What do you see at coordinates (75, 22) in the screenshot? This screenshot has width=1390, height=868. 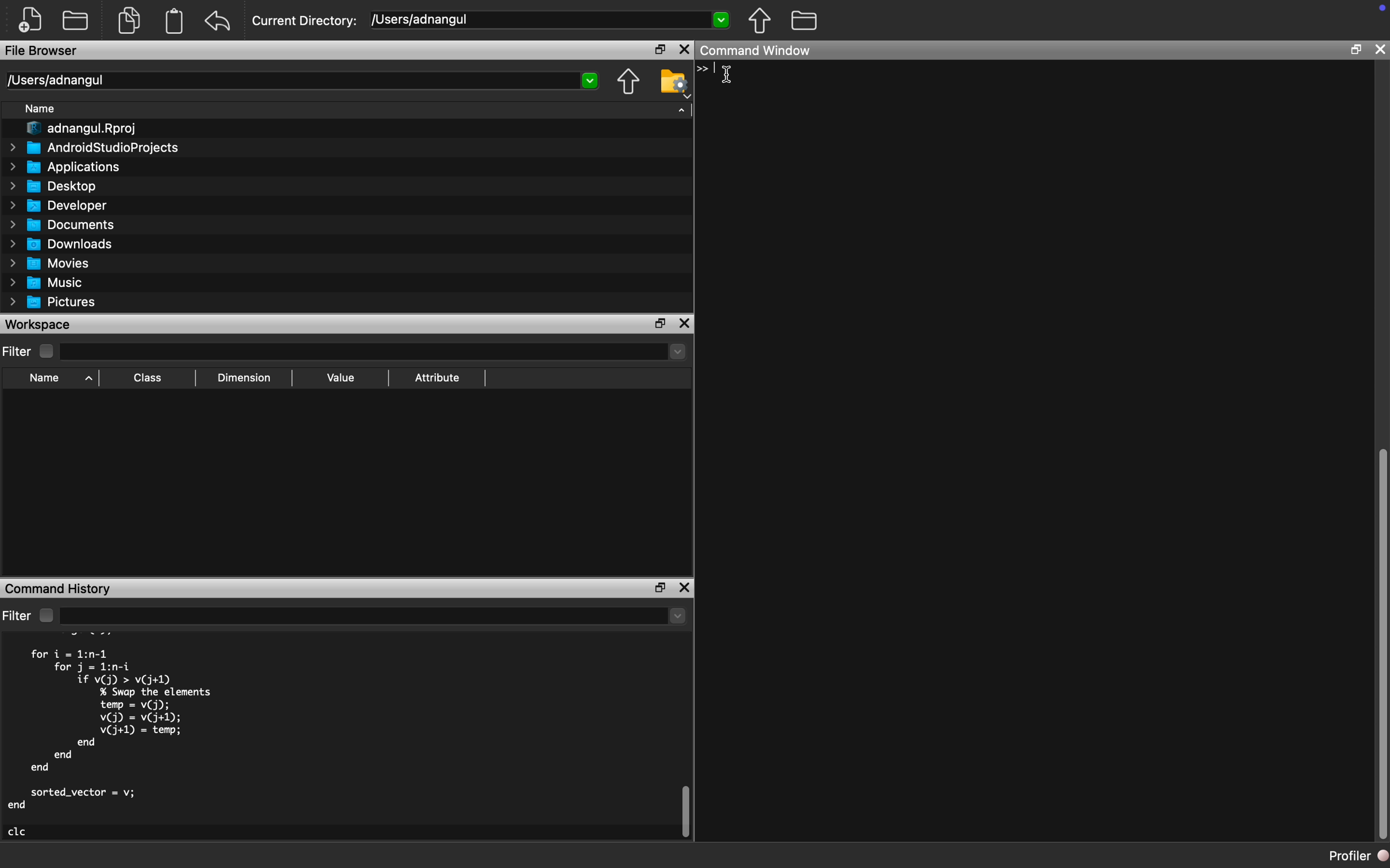 I see `Folder` at bounding box center [75, 22].